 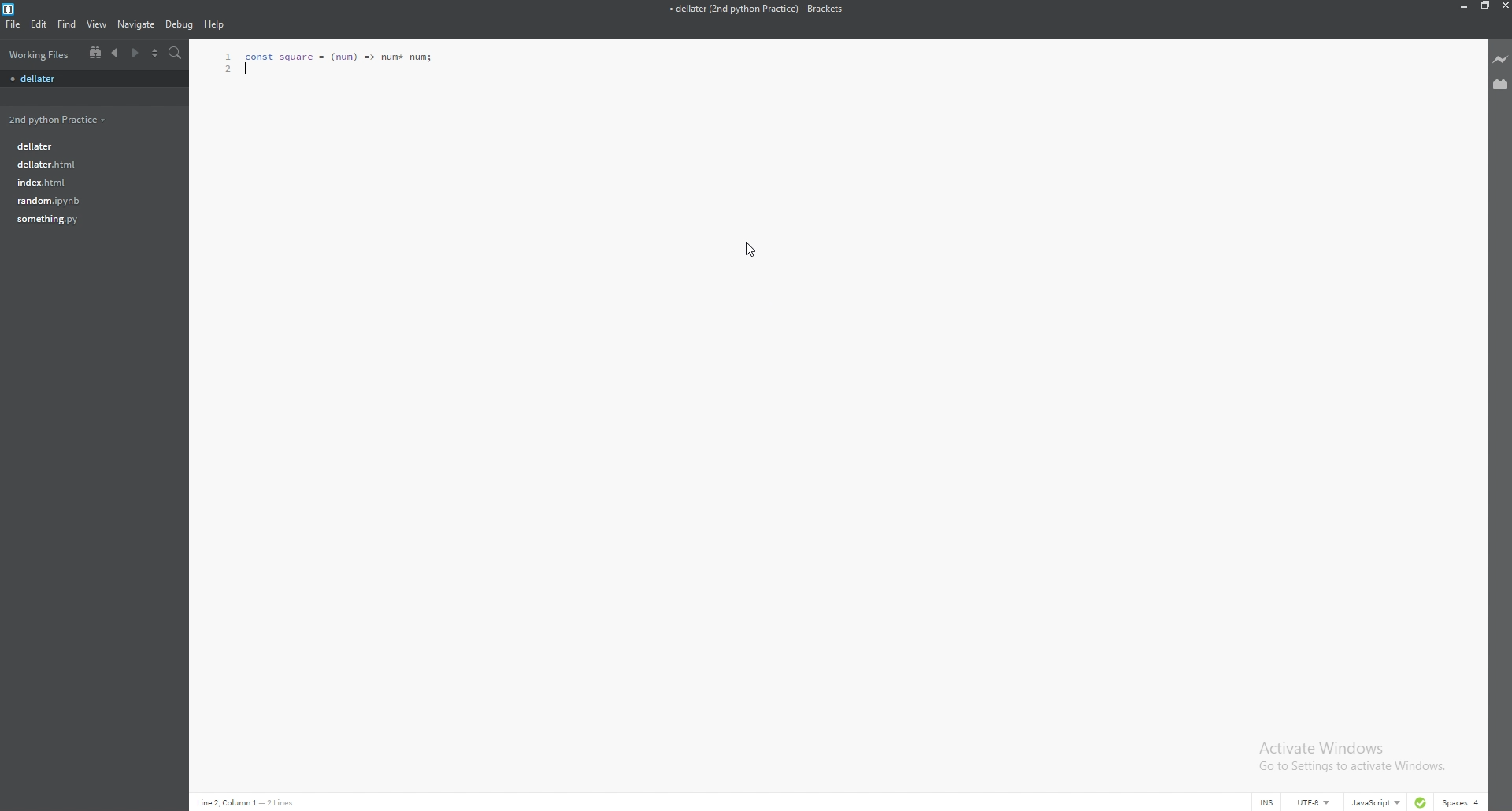 What do you see at coordinates (90, 163) in the screenshot?
I see `file` at bounding box center [90, 163].